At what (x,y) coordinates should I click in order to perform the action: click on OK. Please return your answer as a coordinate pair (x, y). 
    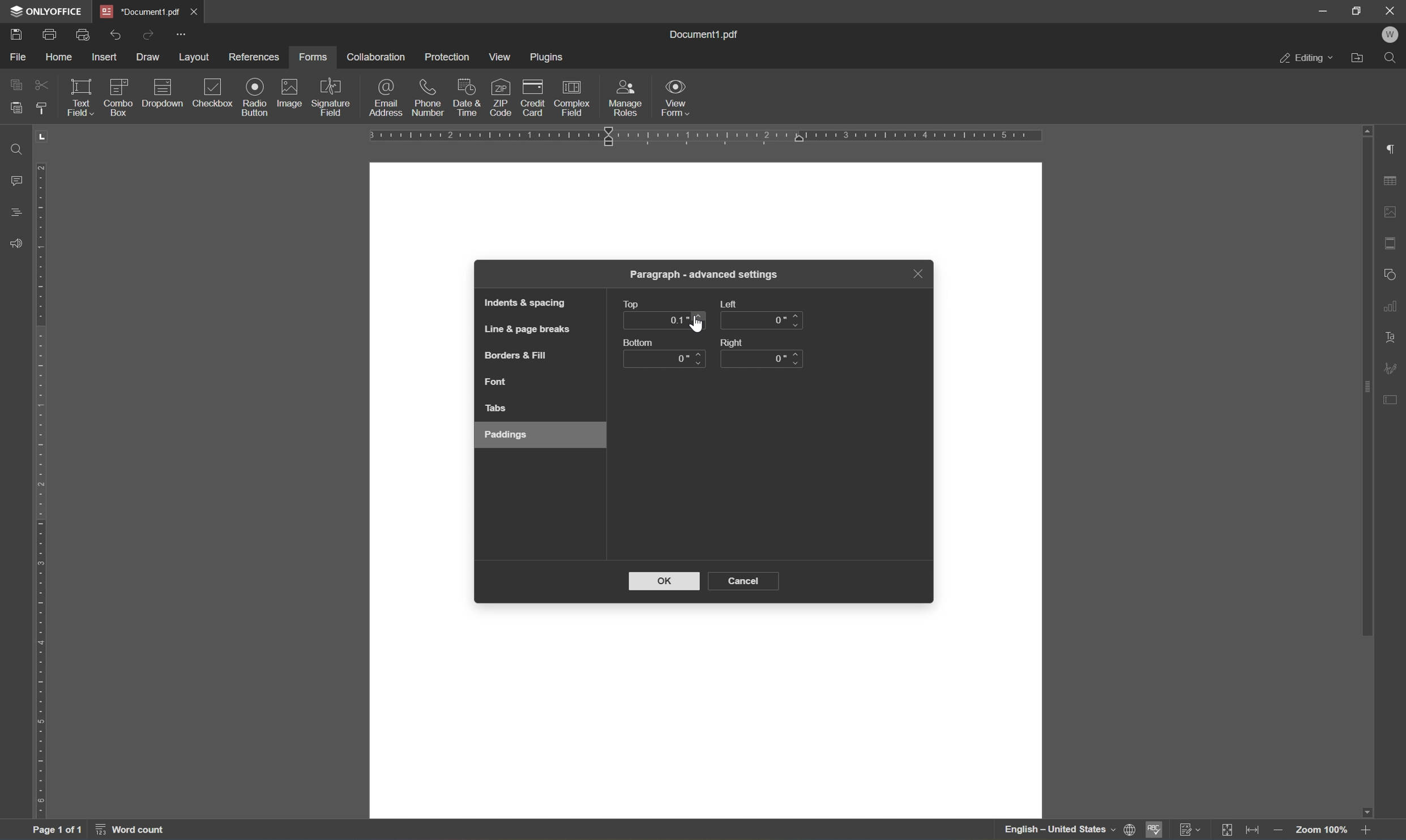
    Looking at the image, I should click on (664, 580).